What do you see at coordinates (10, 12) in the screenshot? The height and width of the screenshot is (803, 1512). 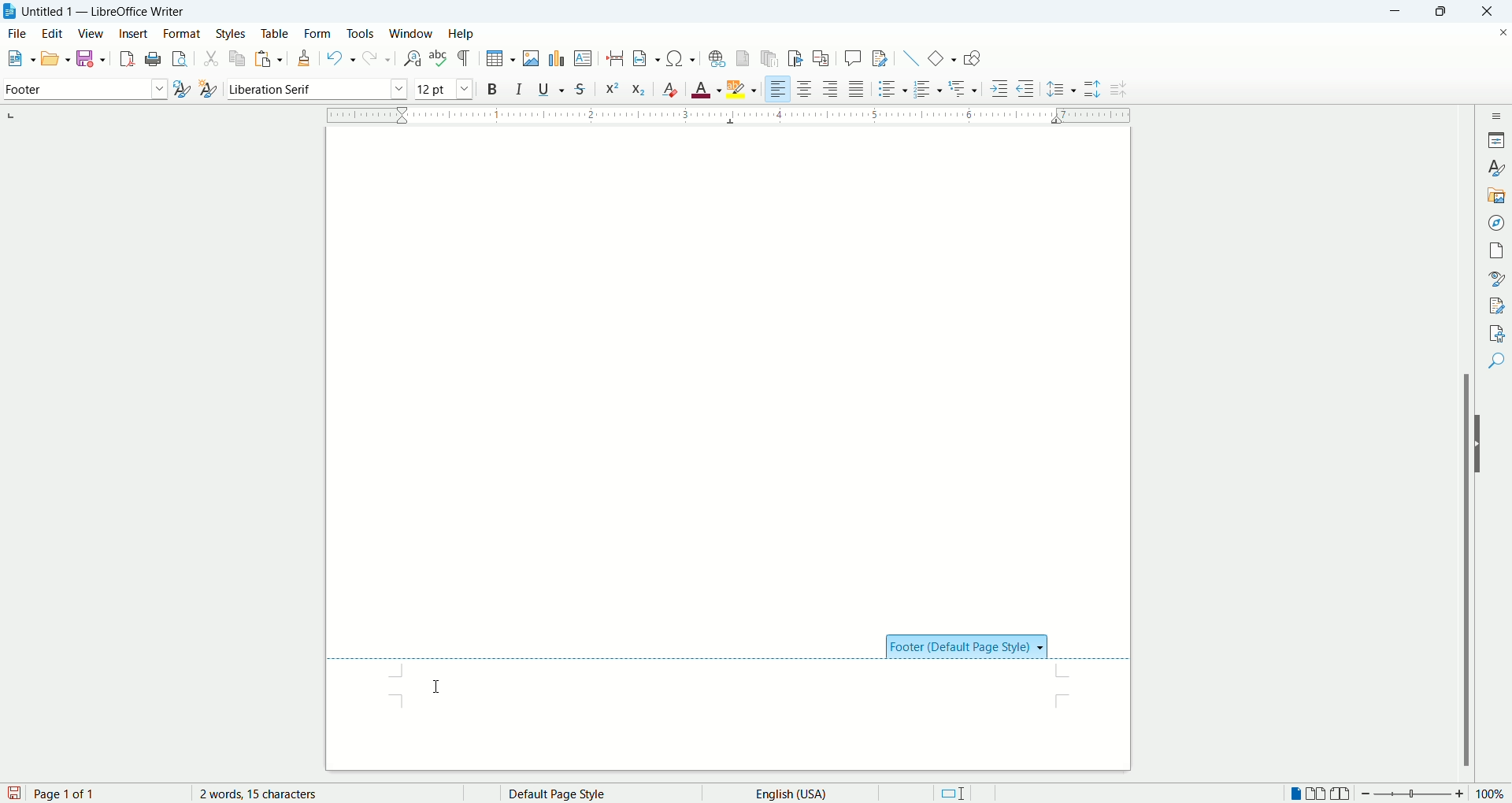 I see `application icon` at bounding box center [10, 12].